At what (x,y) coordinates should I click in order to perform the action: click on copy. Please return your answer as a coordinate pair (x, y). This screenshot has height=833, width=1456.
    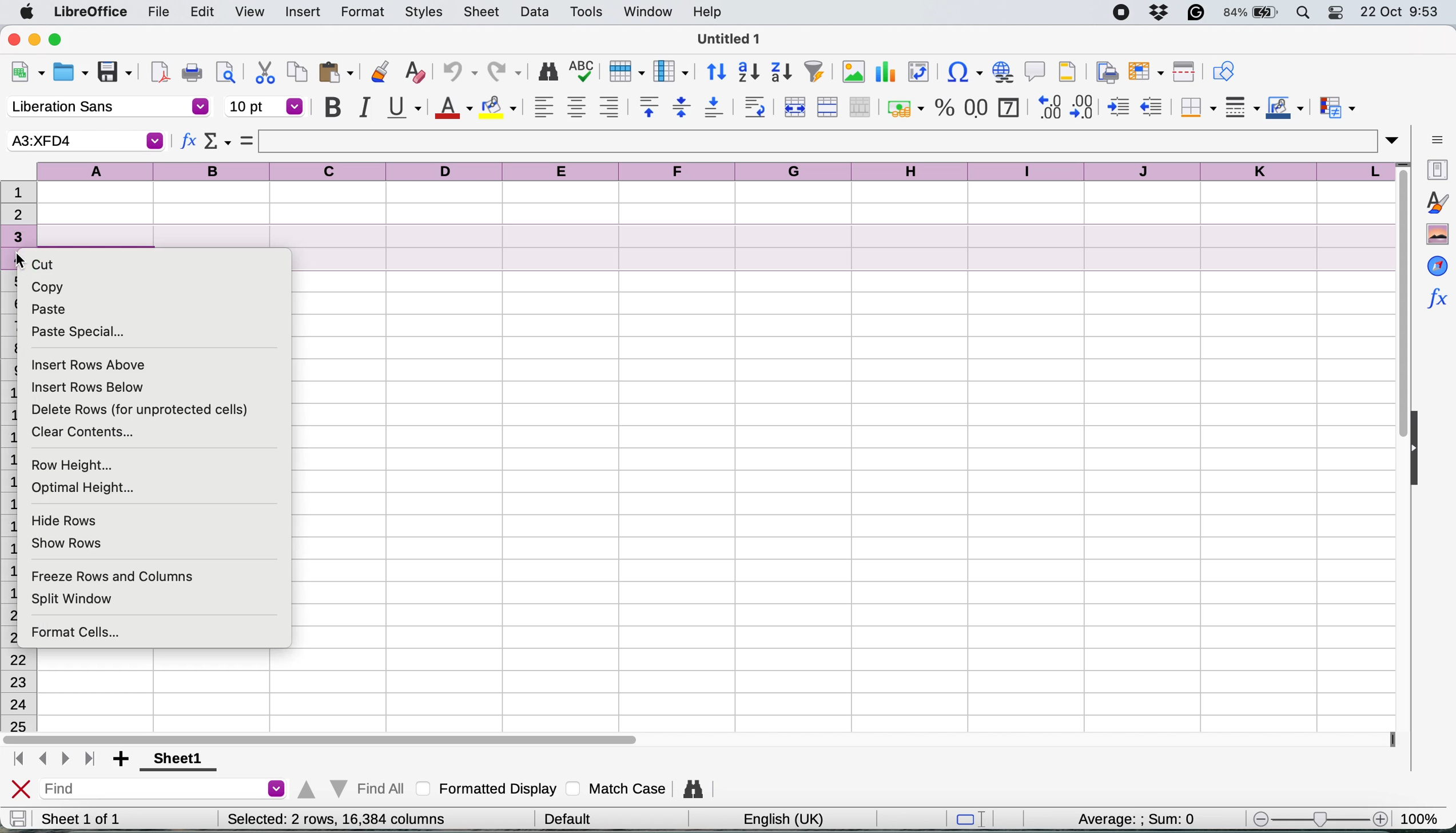
    Looking at the image, I should click on (298, 72).